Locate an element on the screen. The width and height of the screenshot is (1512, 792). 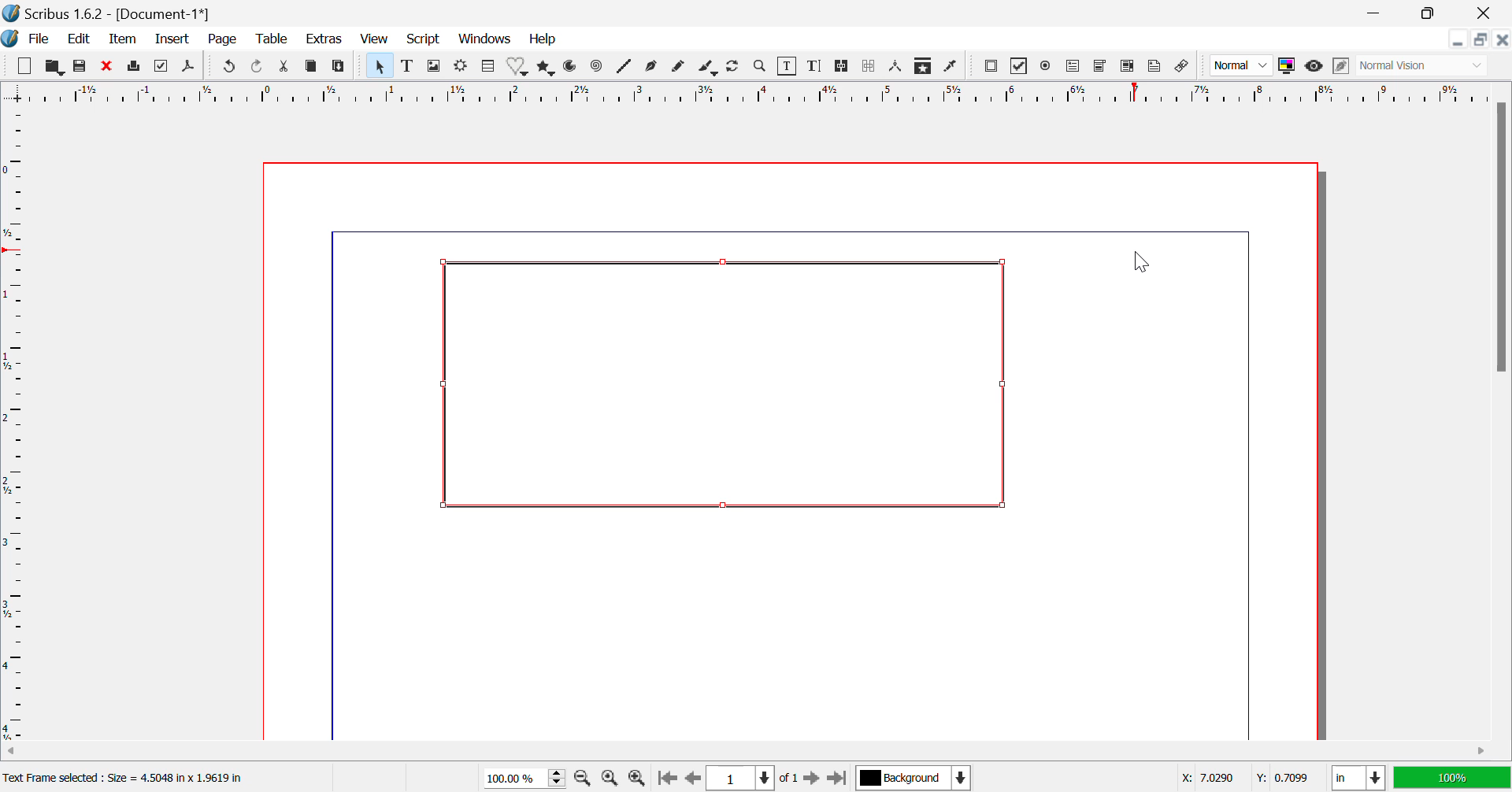
 is located at coordinates (1206, 776).